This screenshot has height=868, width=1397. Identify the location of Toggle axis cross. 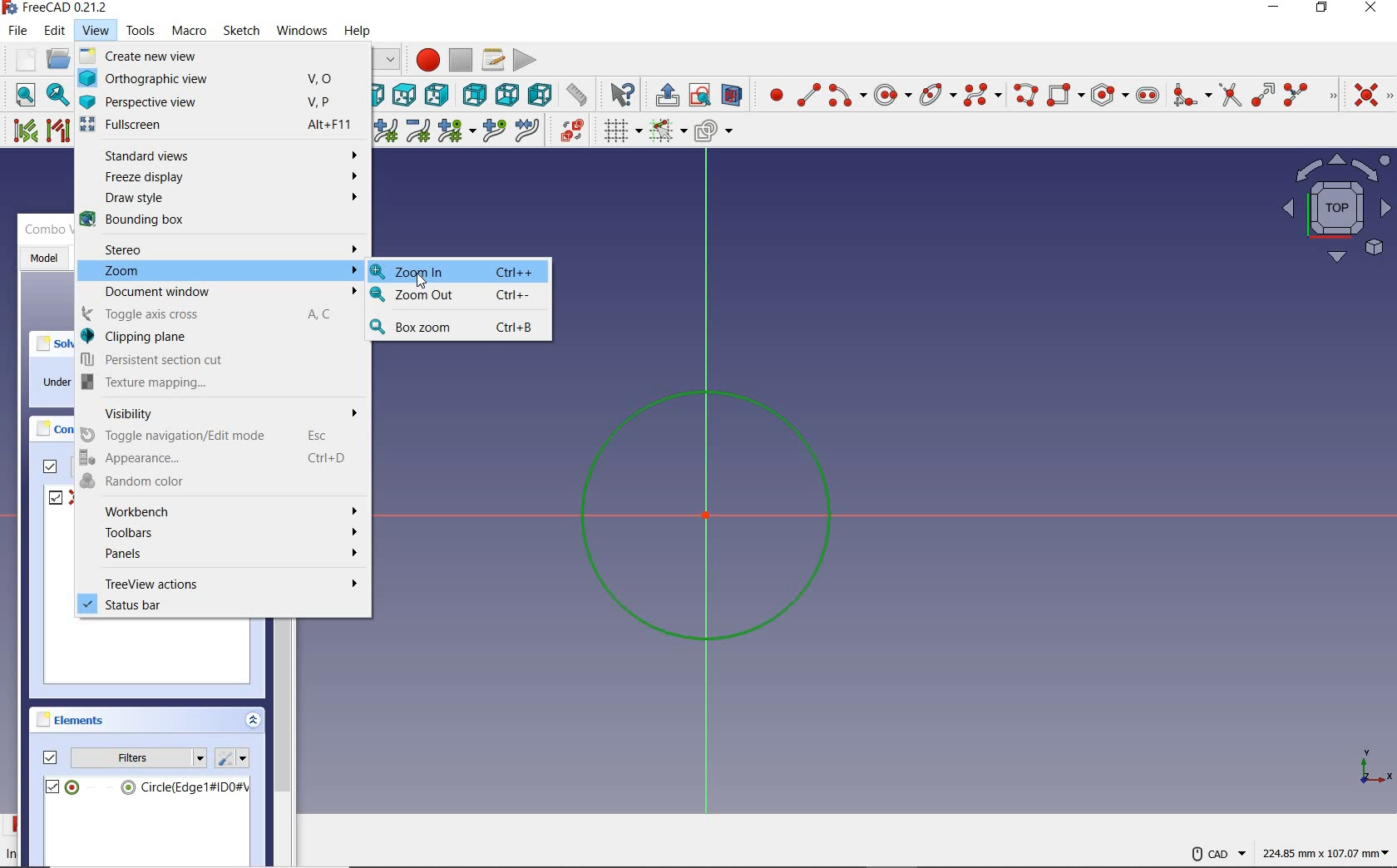
(217, 314).